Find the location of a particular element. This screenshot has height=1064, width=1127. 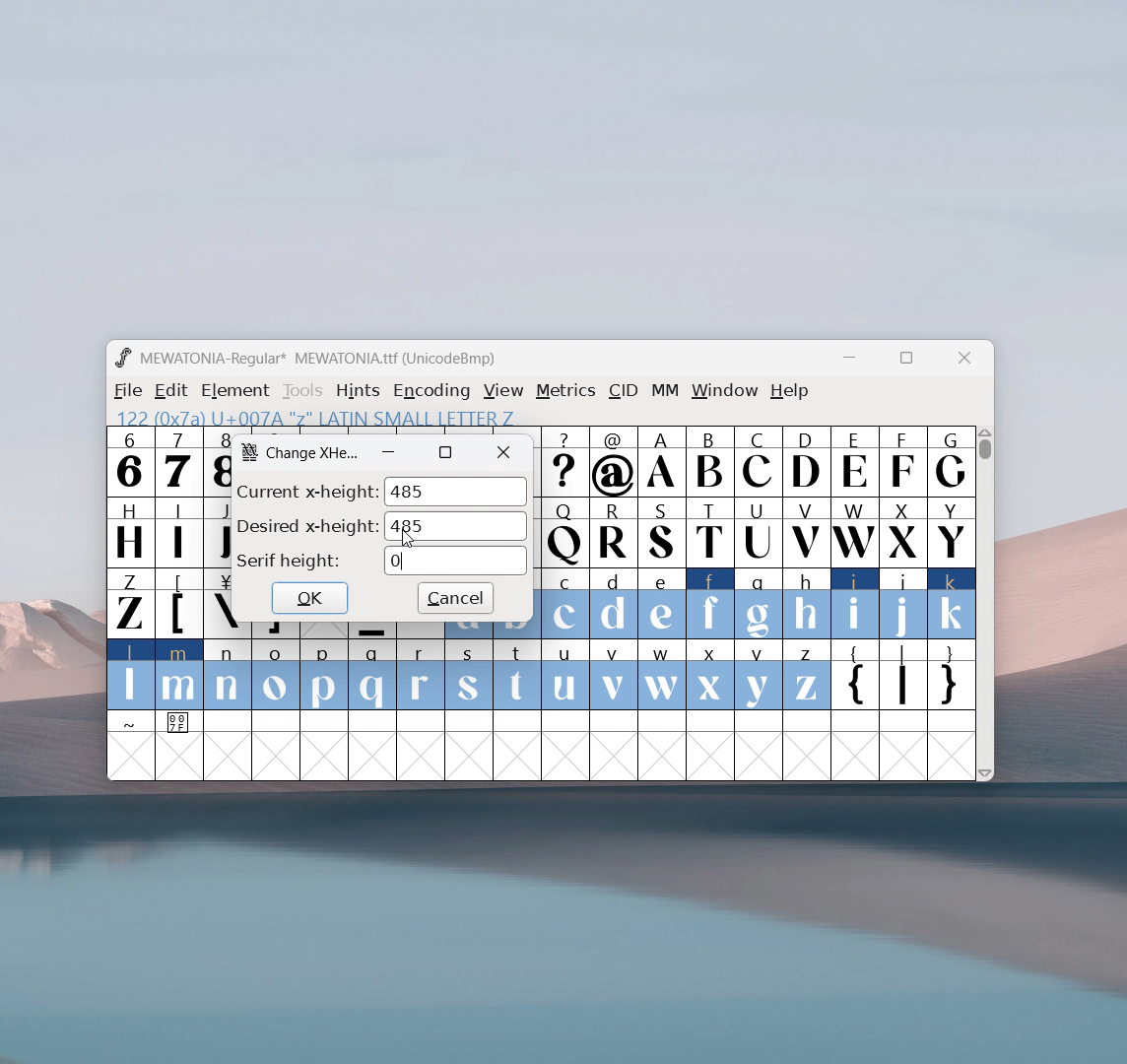

I is located at coordinates (178, 531).